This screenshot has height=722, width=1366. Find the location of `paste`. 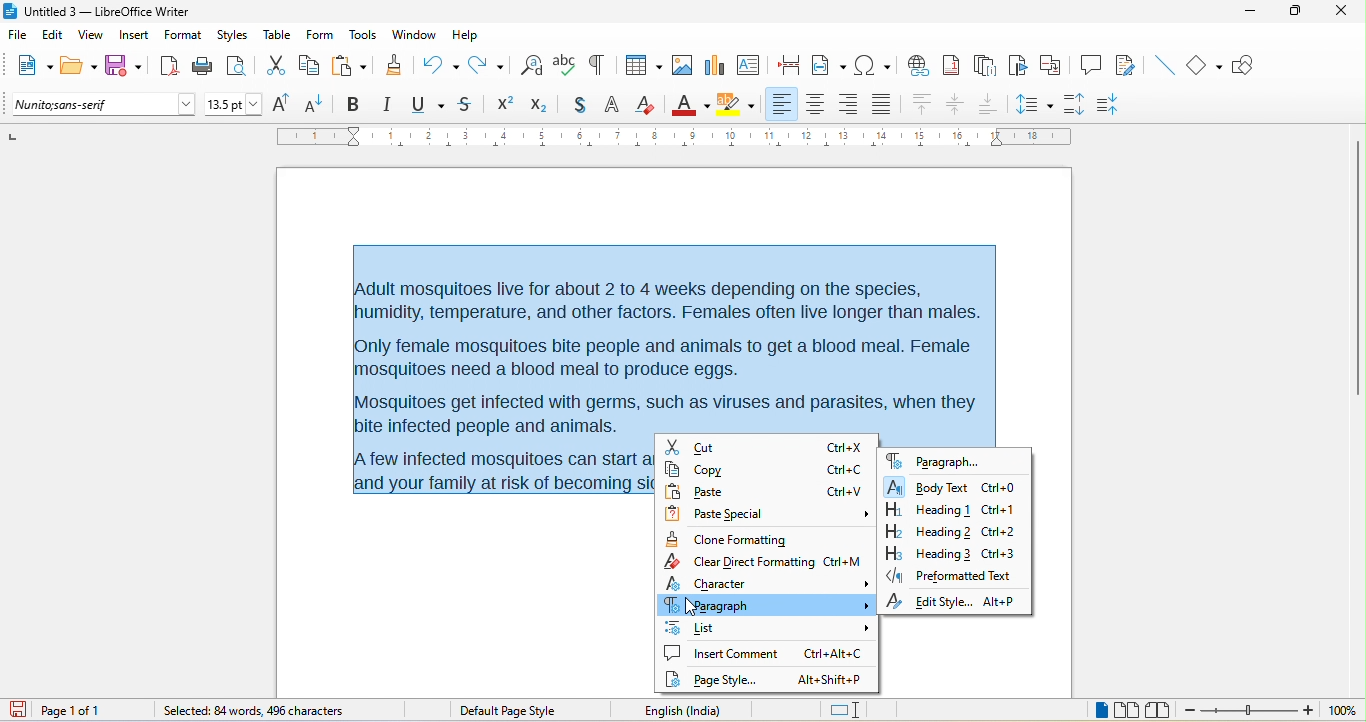

paste is located at coordinates (724, 492).